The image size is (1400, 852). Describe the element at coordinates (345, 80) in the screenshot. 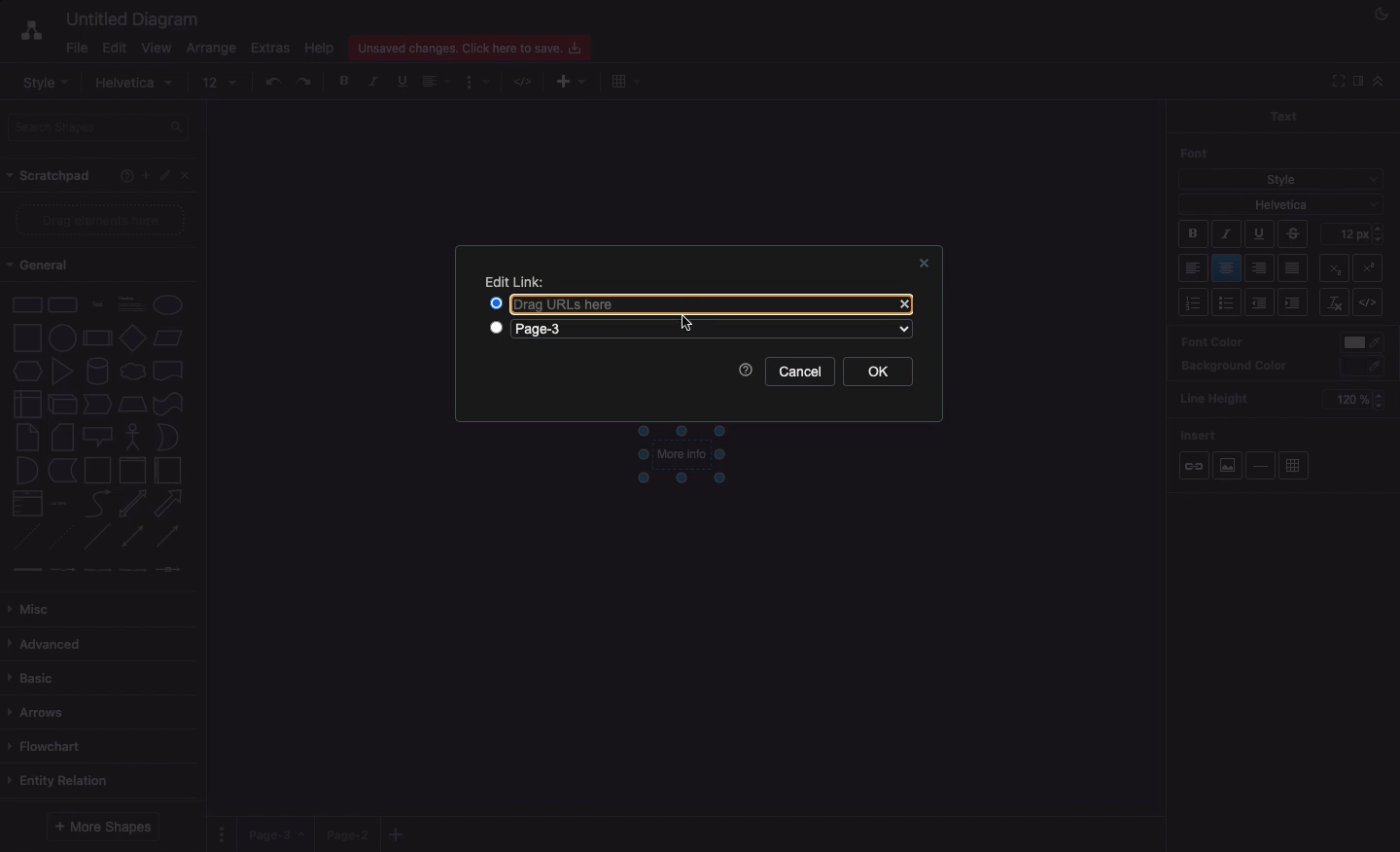

I see `Bold` at that location.